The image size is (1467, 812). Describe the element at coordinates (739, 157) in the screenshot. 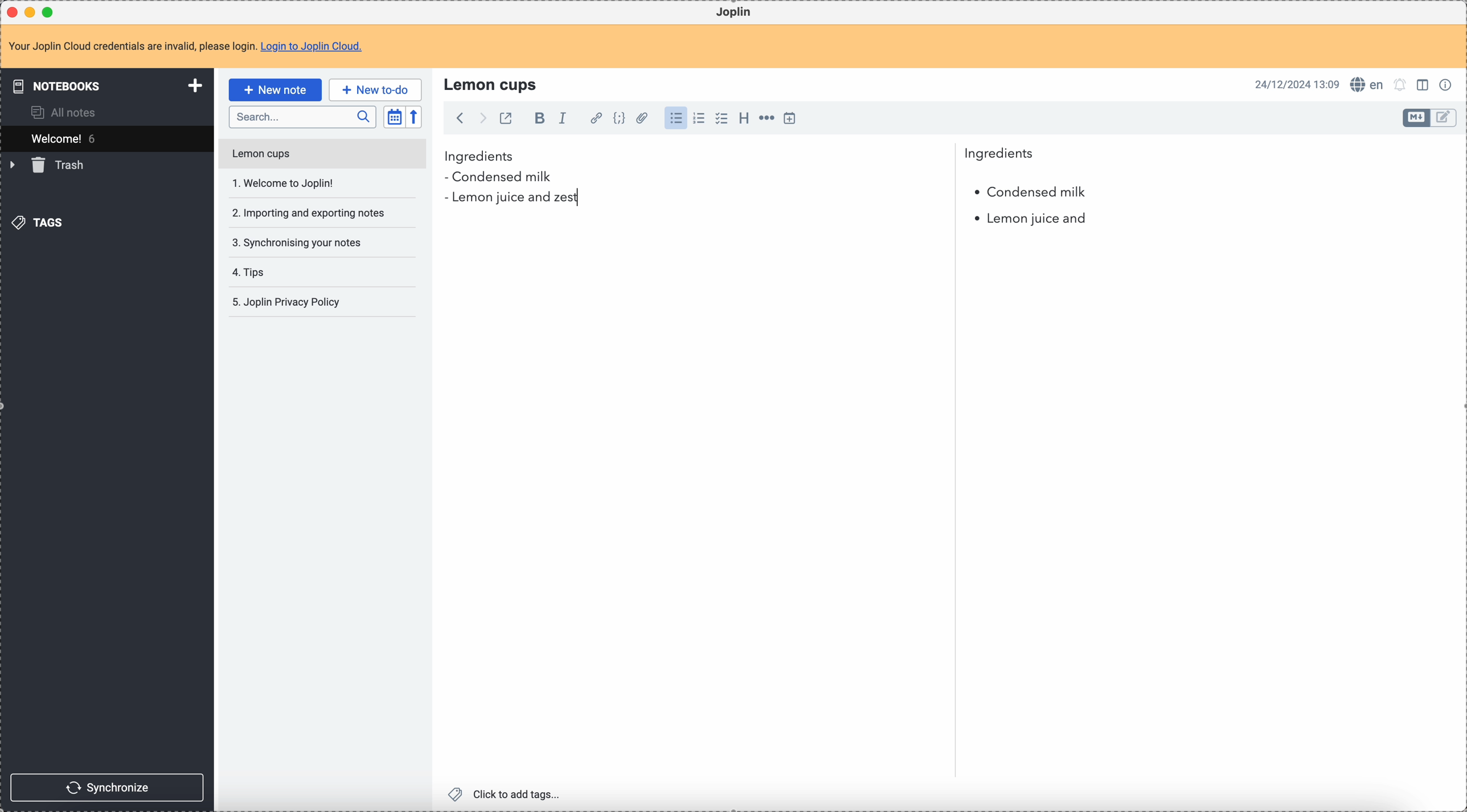

I see `ingredients` at that location.